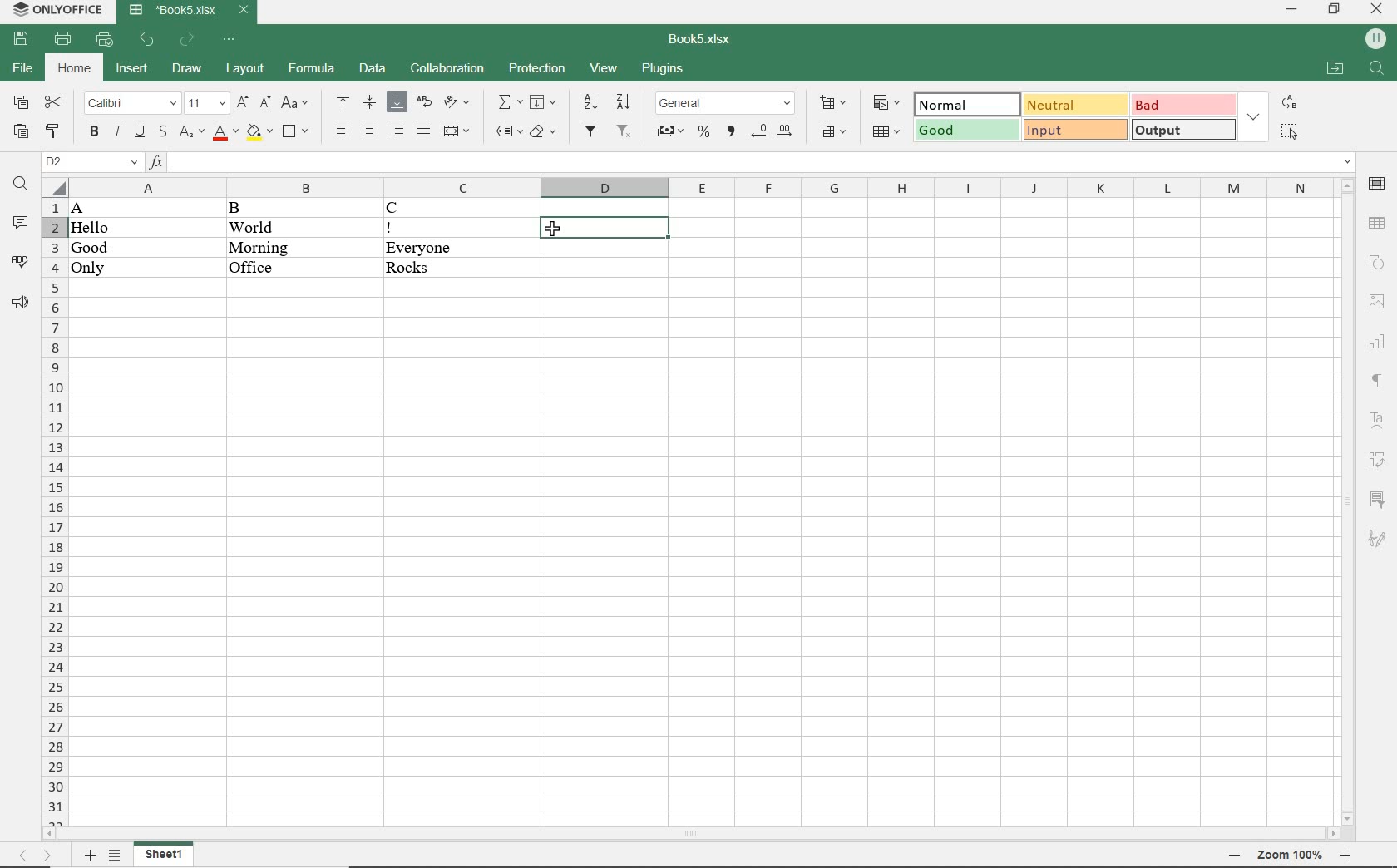 The width and height of the screenshot is (1397, 868). I want to click on Only, so click(97, 269).